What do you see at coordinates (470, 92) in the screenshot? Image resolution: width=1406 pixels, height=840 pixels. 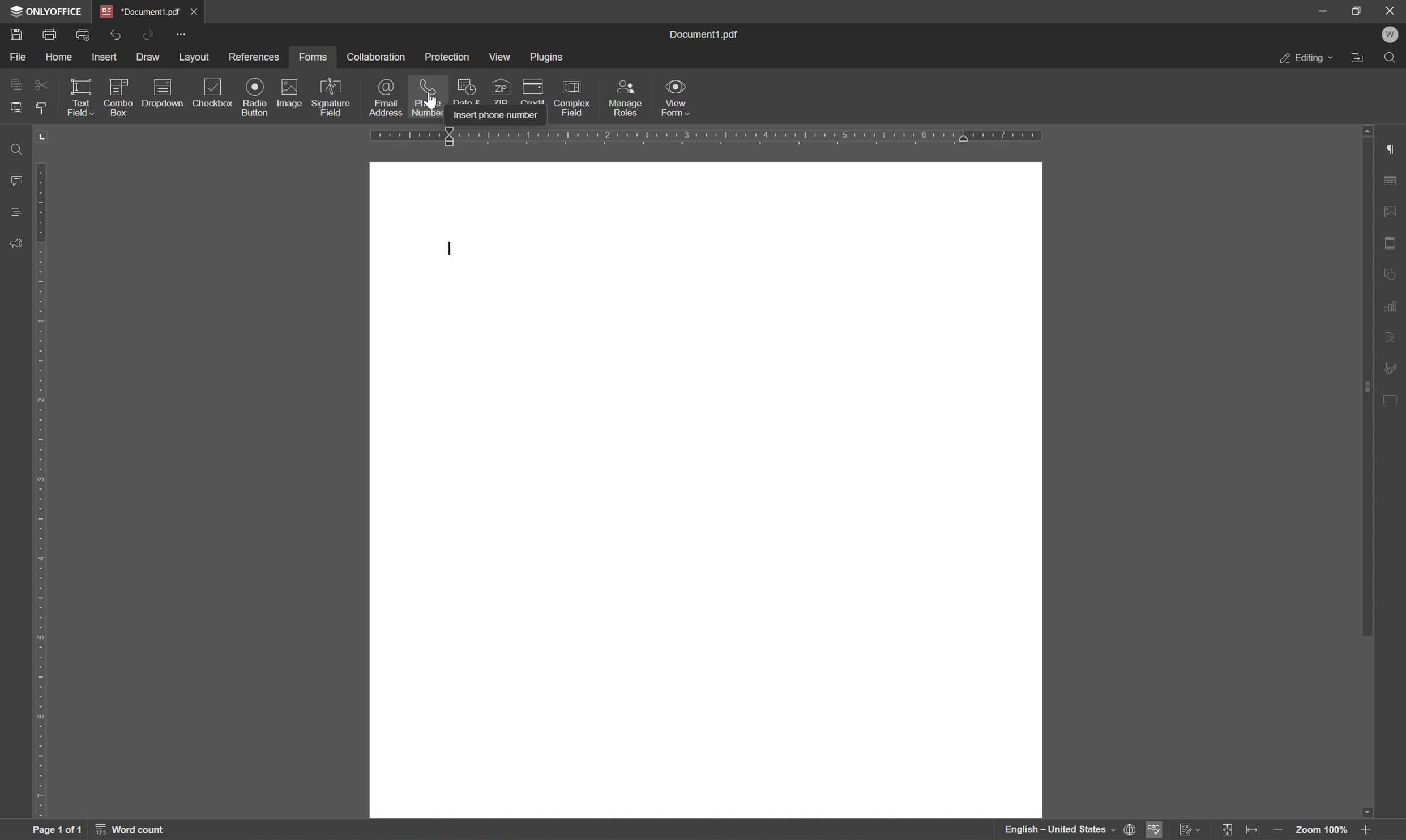 I see `icon` at bounding box center [470, 92].